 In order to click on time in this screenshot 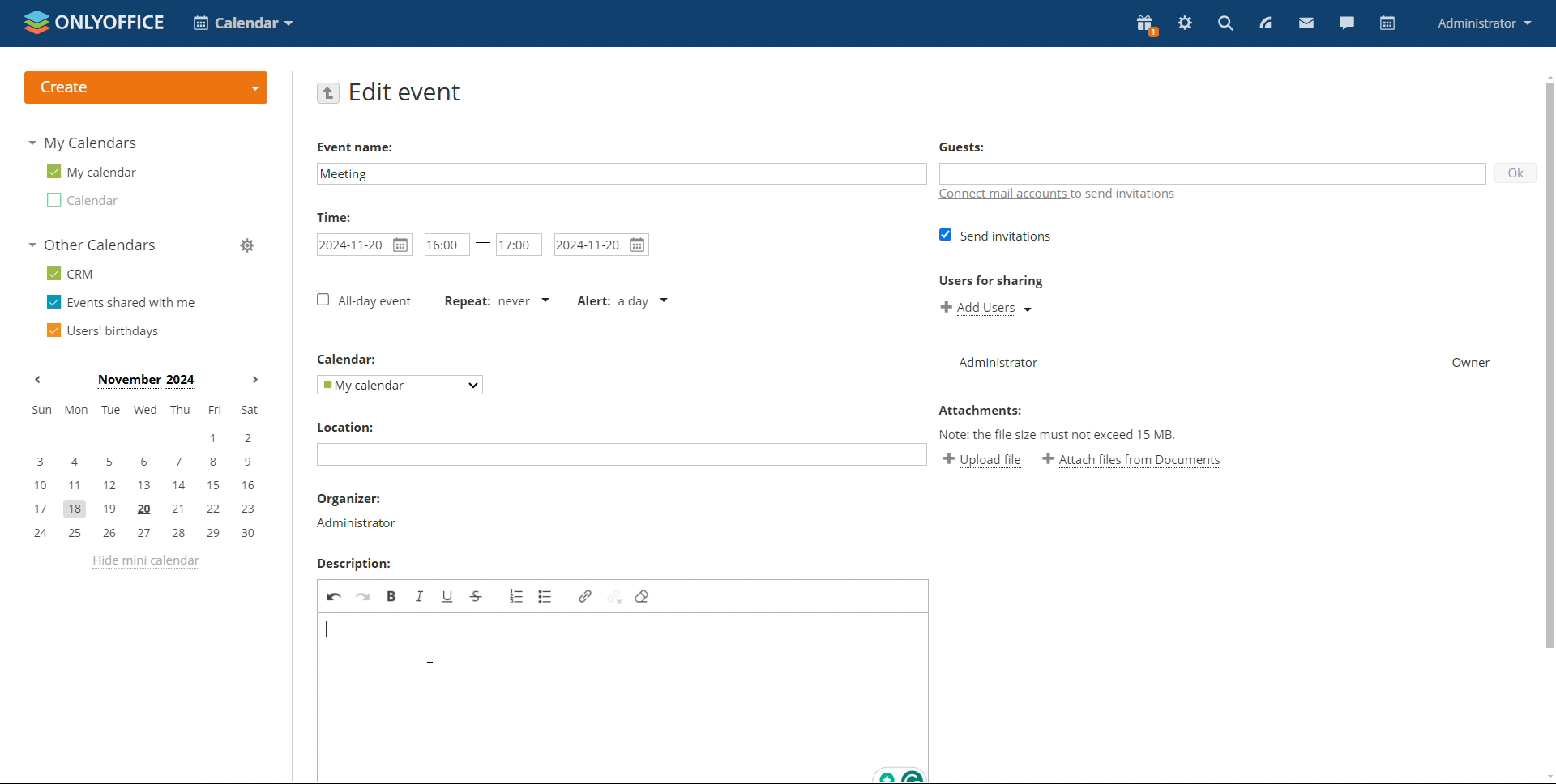, I will do `click(336, 215)`.